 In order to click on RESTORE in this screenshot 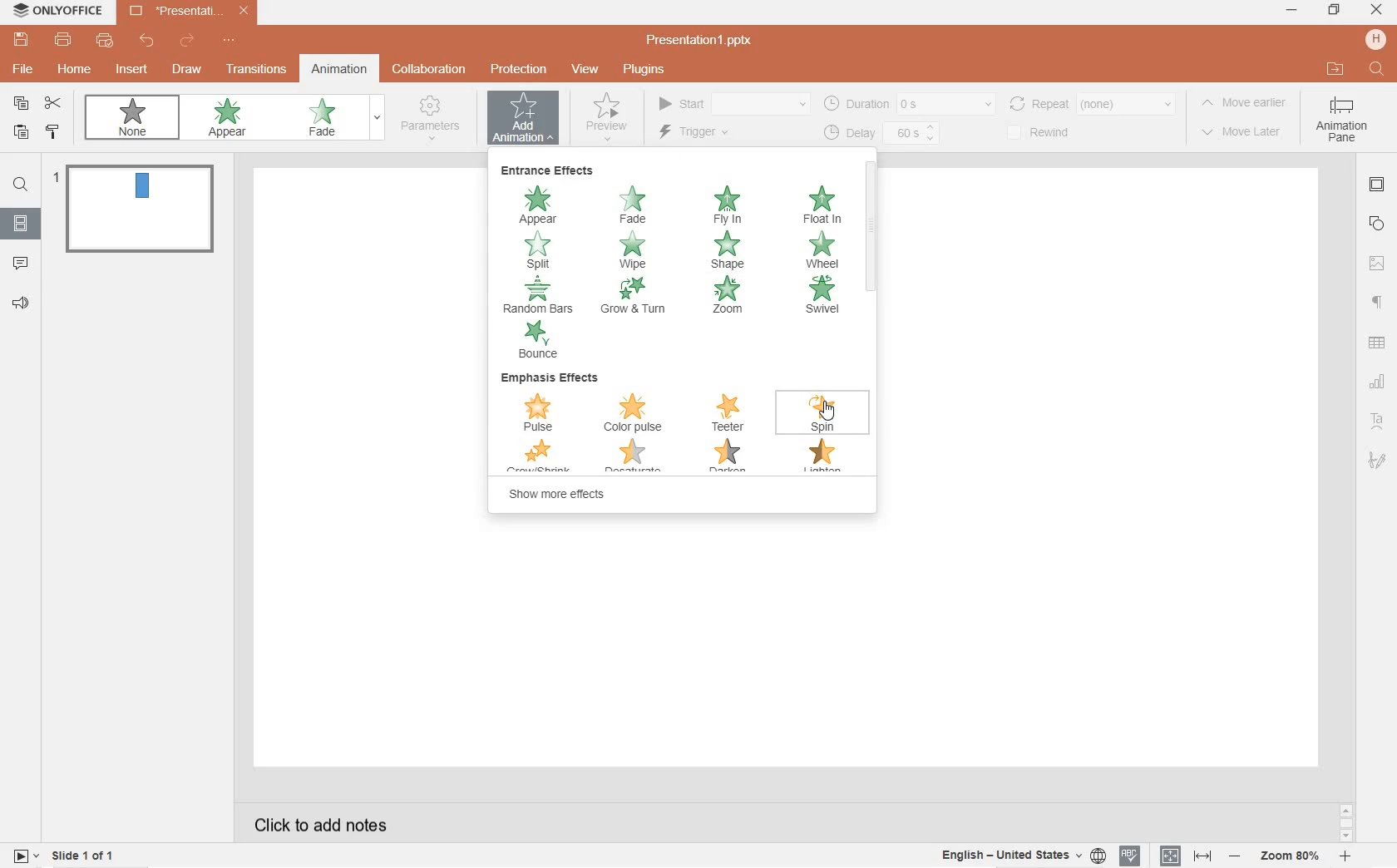, I will do `click(1330, 10)`.